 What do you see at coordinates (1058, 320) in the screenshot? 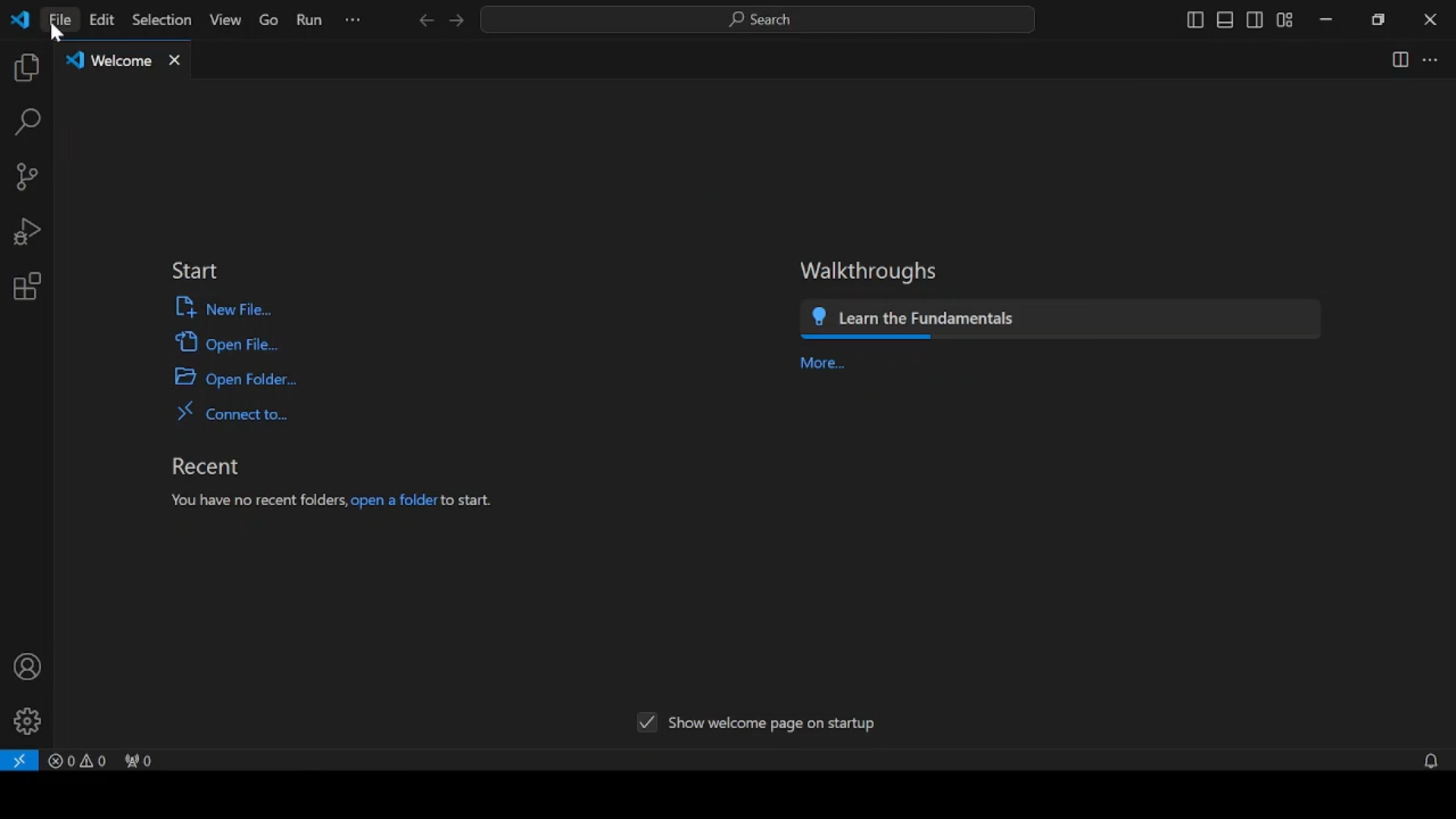
I see `learn the fundamentals` at bounding box center [1058, 320].